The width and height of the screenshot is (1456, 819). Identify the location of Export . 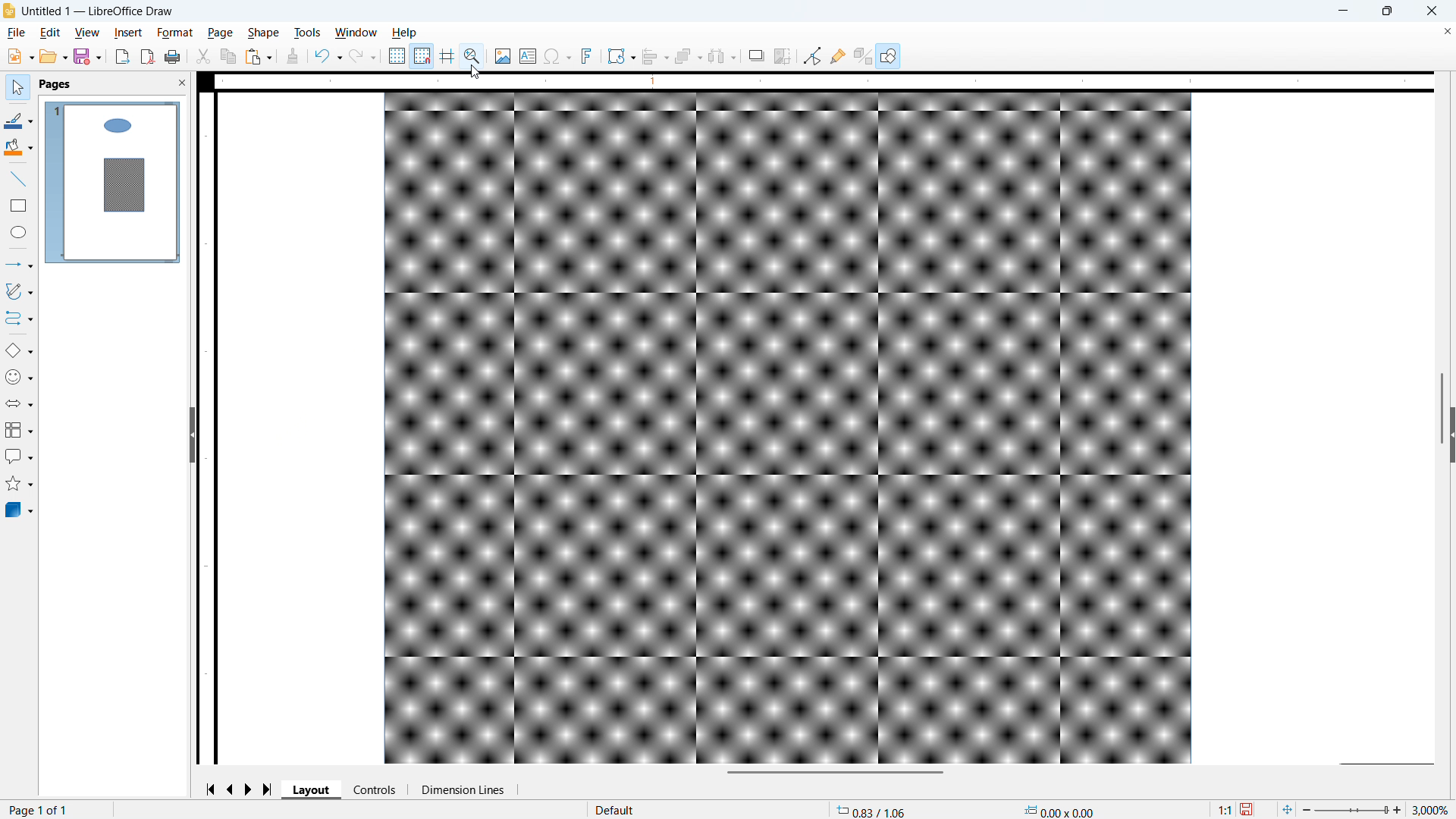
(122, 56).